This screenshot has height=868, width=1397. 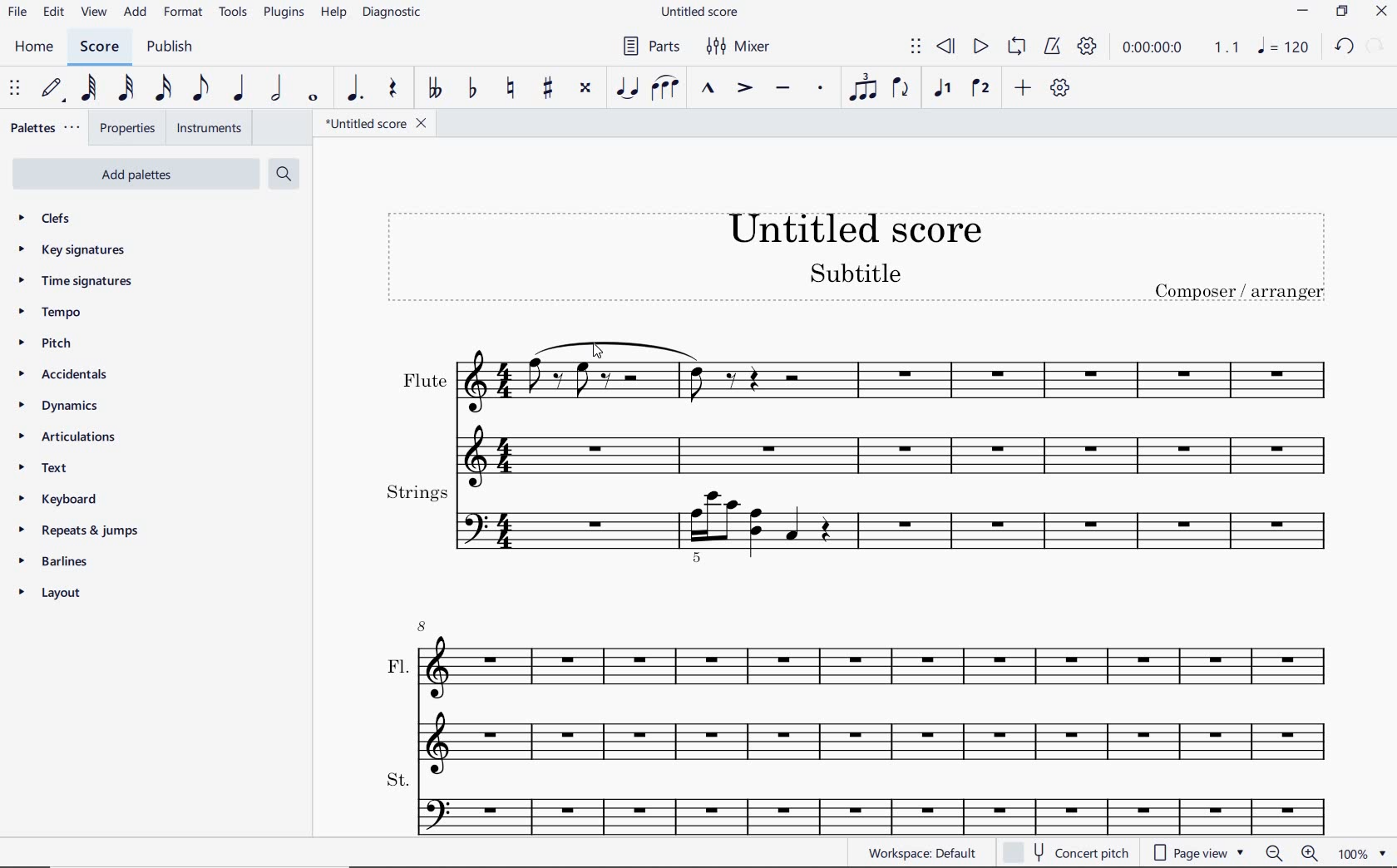 What do you see at coordinates (1182, 50) in the screenshot?
I see `PLAY TIME` at bounding box center [1182, 50].